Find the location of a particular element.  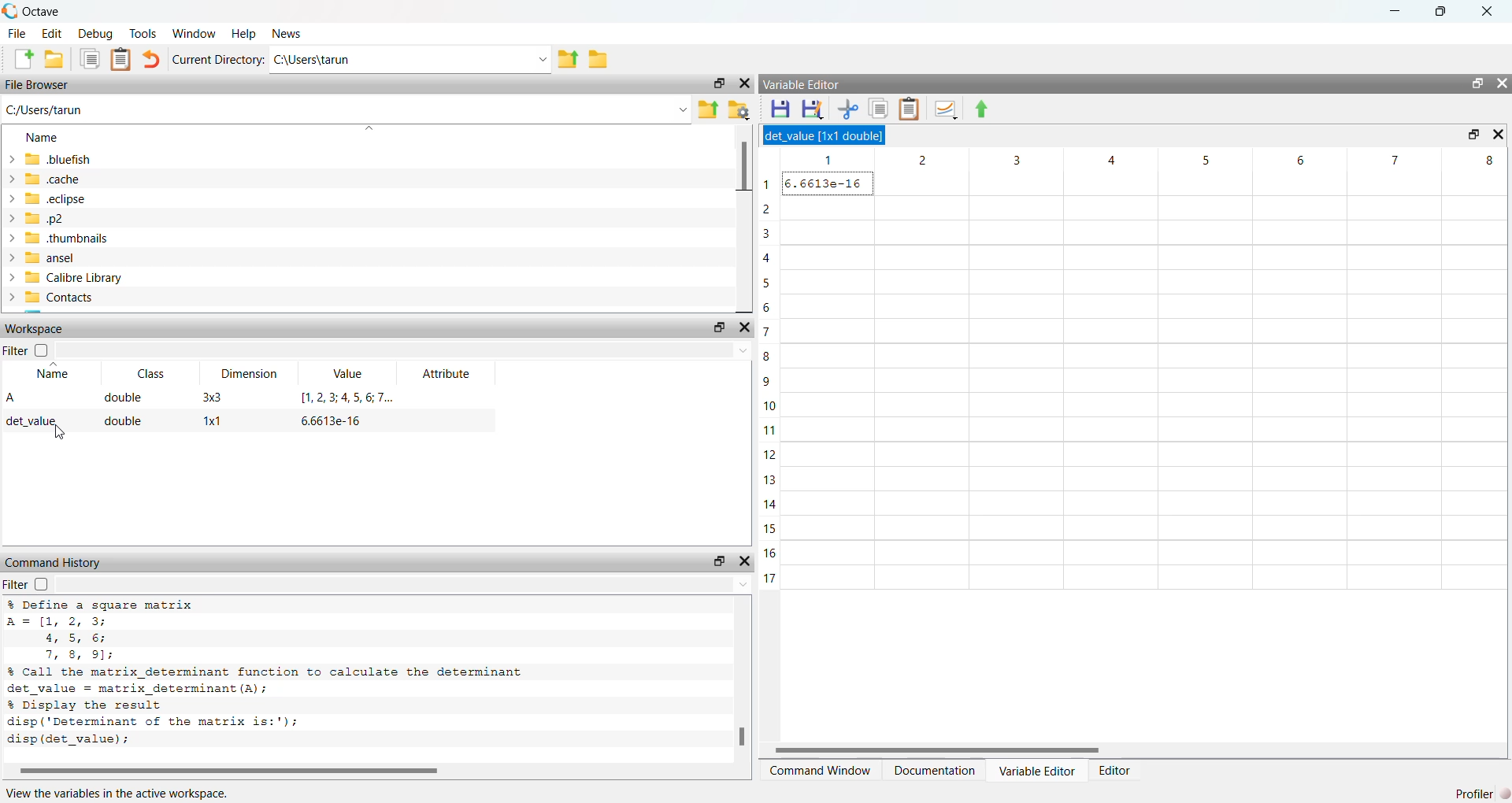

 C:\Users\tarun v is located at coordinates (410, 60).